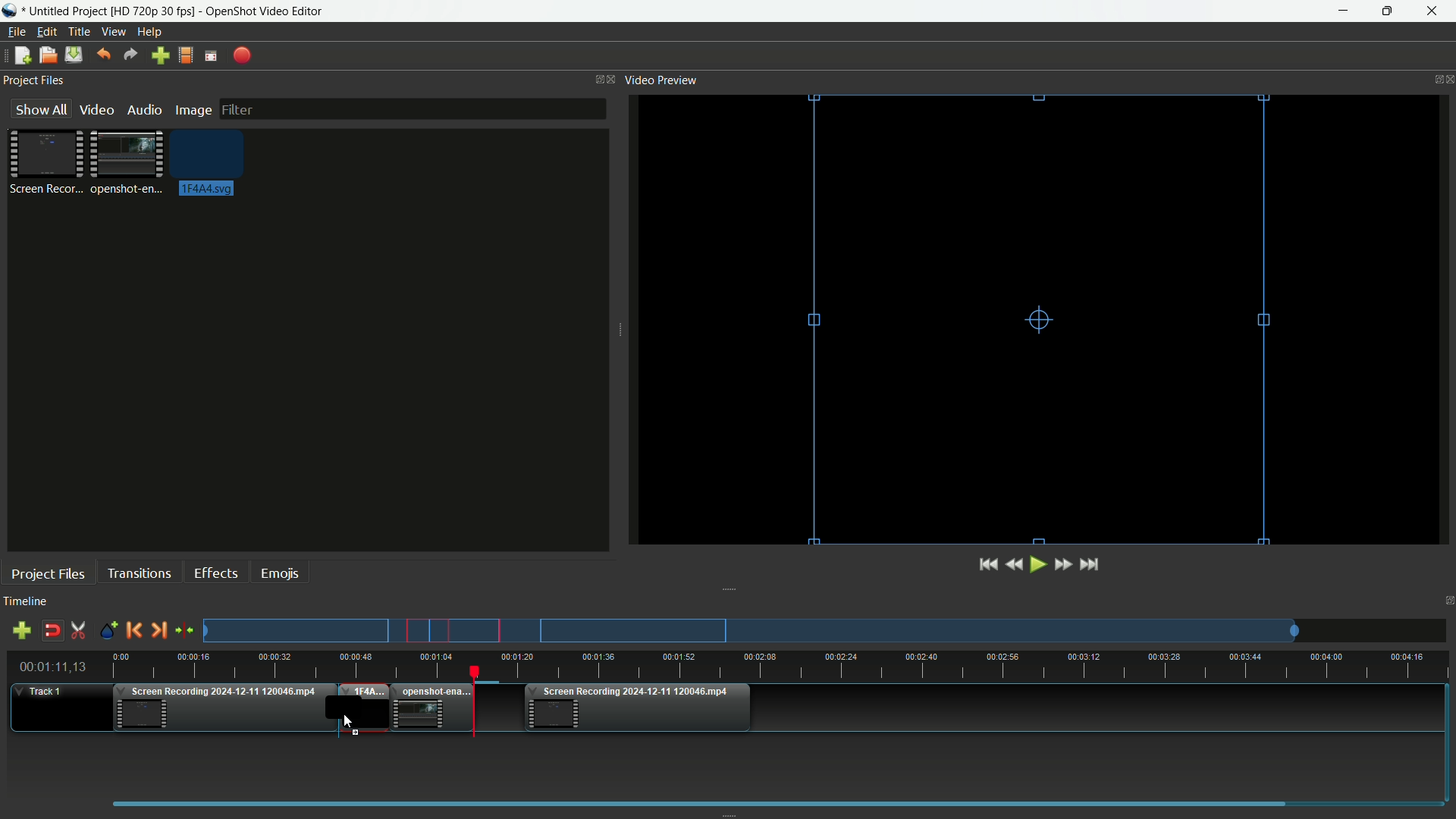 This screenshot has height=819, width=1456. What do you see at coordinates (1043, 318) in the screenshot?
I see `video preview` at bounding box center [1043, 318].